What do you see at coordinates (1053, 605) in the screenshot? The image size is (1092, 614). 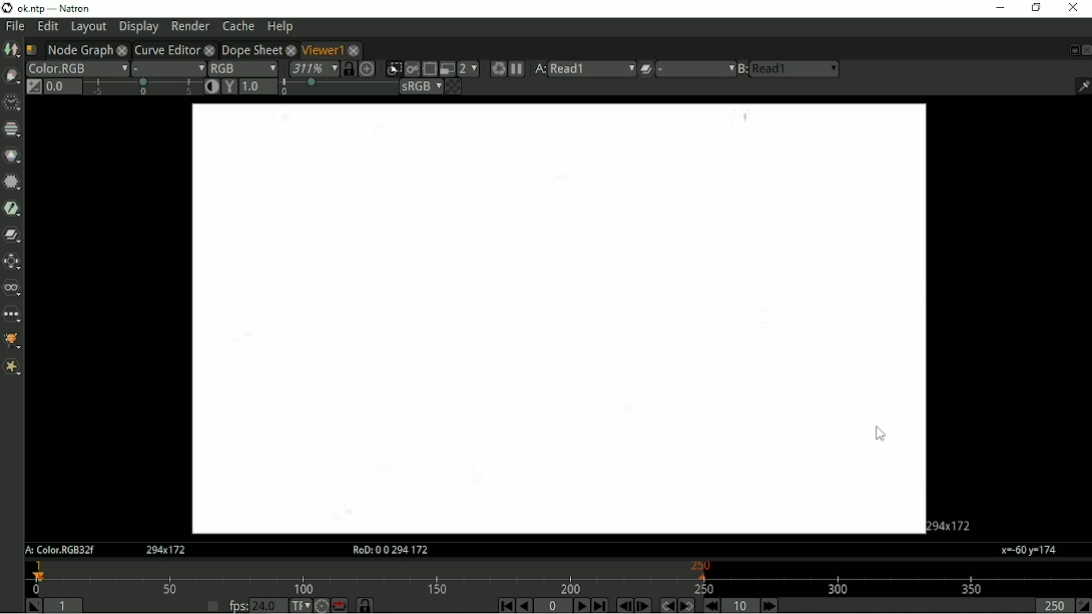 I see `Playback out point` at bounding box center [1053, 605].